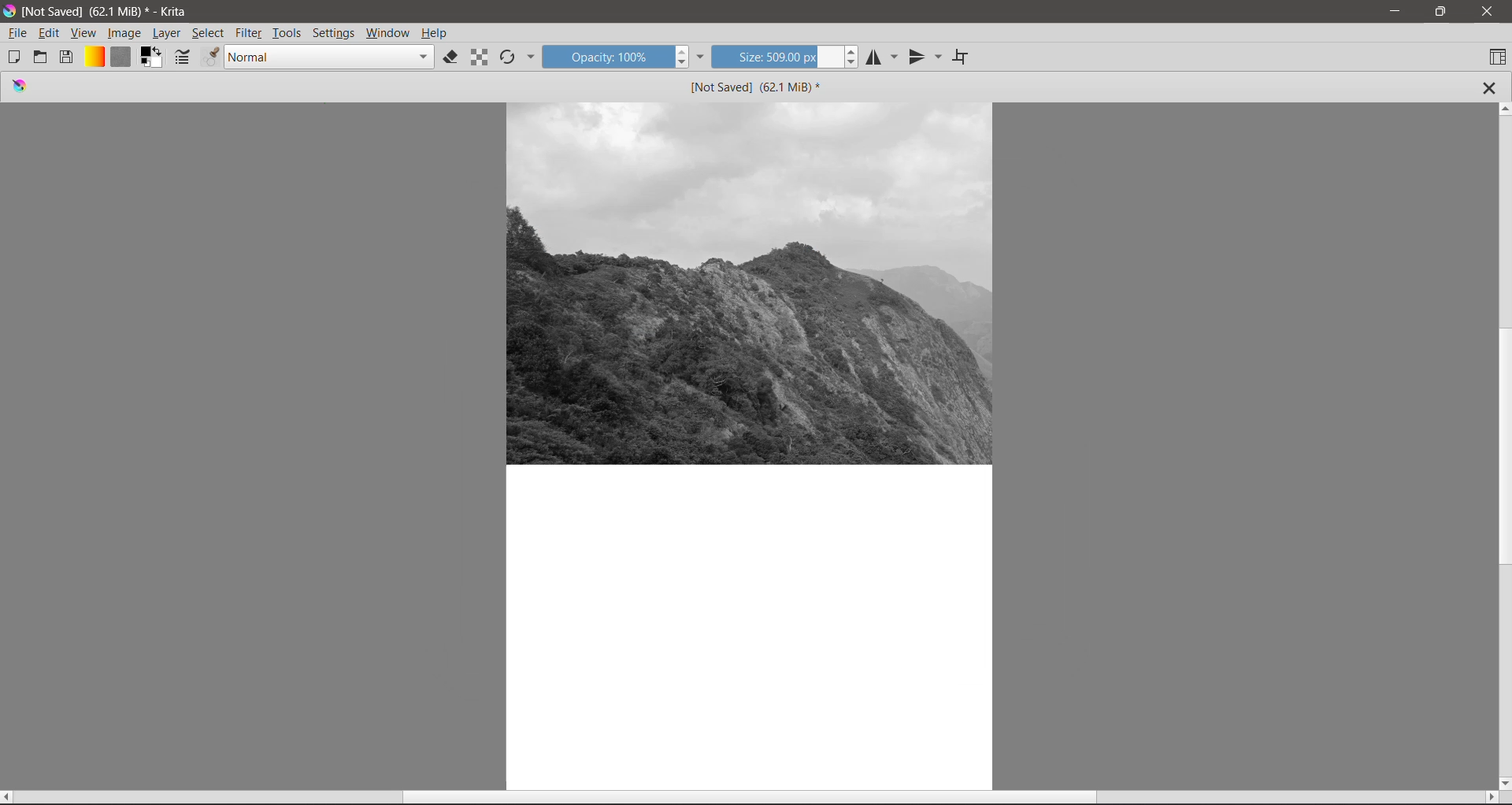  What do you see at coordinates (289, 31) in the screenshot?
I see `Tools` at bounding box center [289, 31].